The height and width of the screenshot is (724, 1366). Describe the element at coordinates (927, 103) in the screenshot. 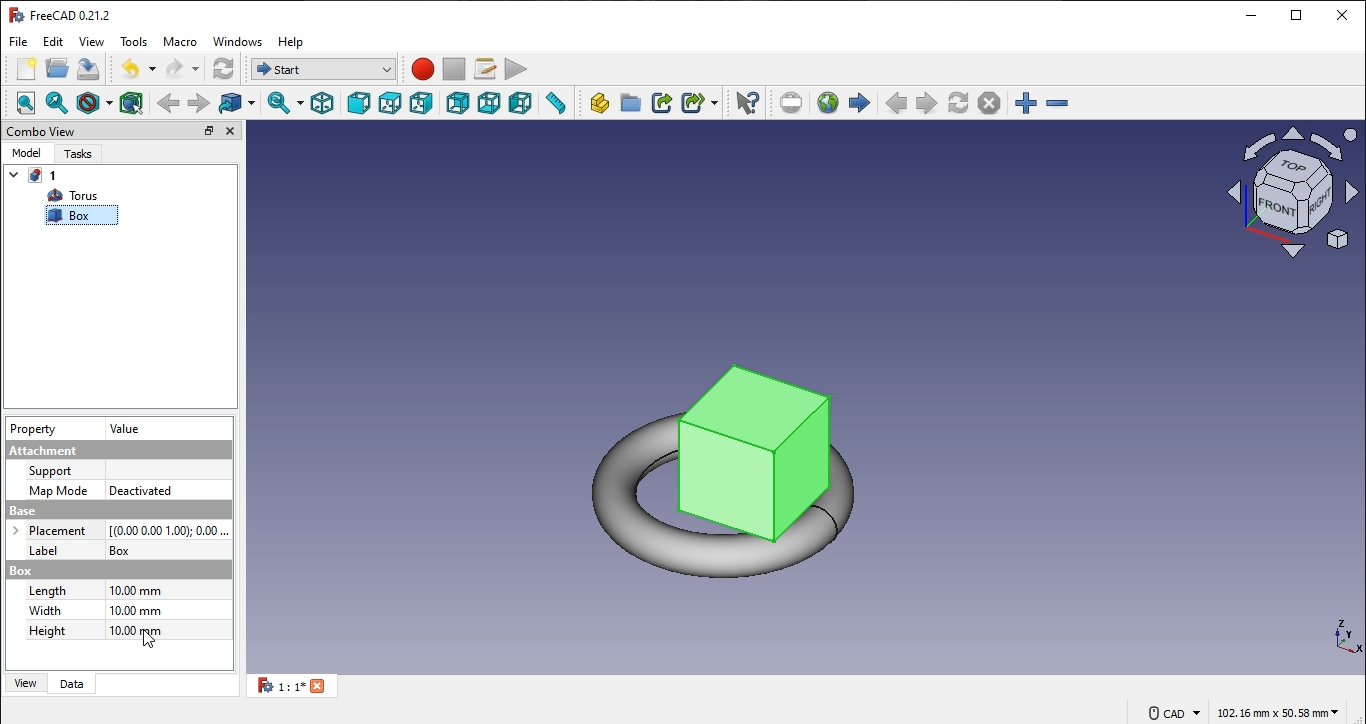

I see `next page` at that location.